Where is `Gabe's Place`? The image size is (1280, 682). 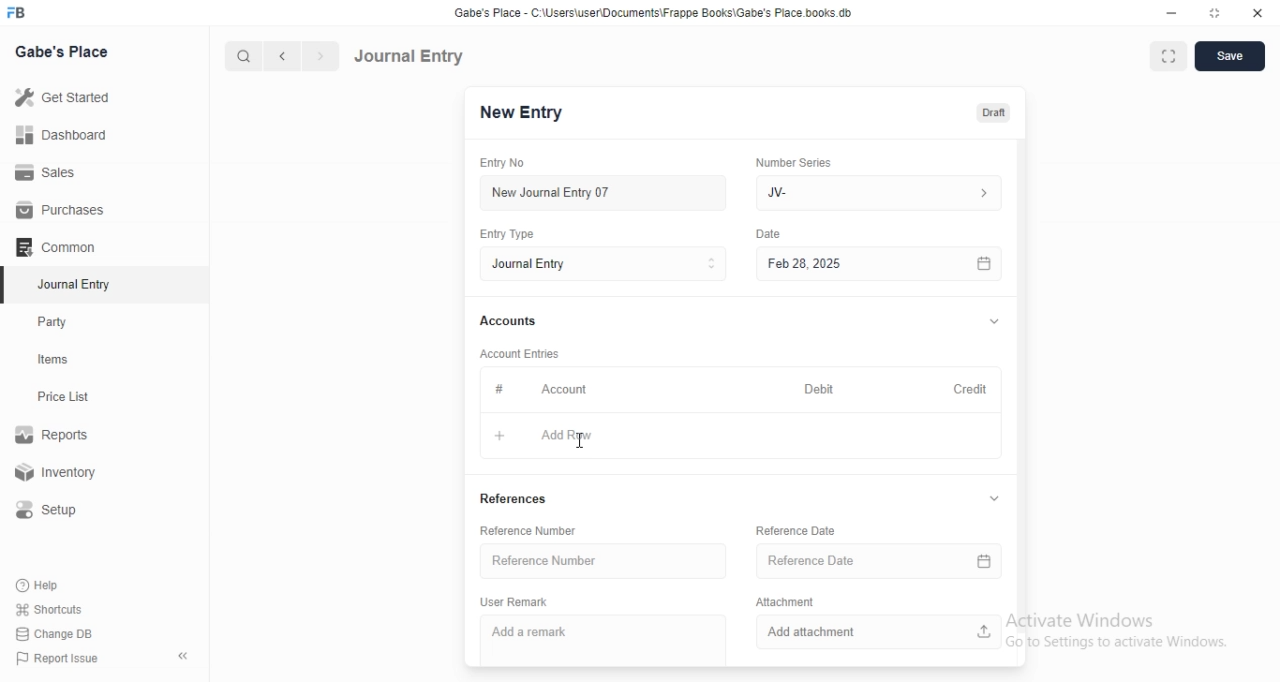 Gabe's Place is located at coordinates (64, 51).